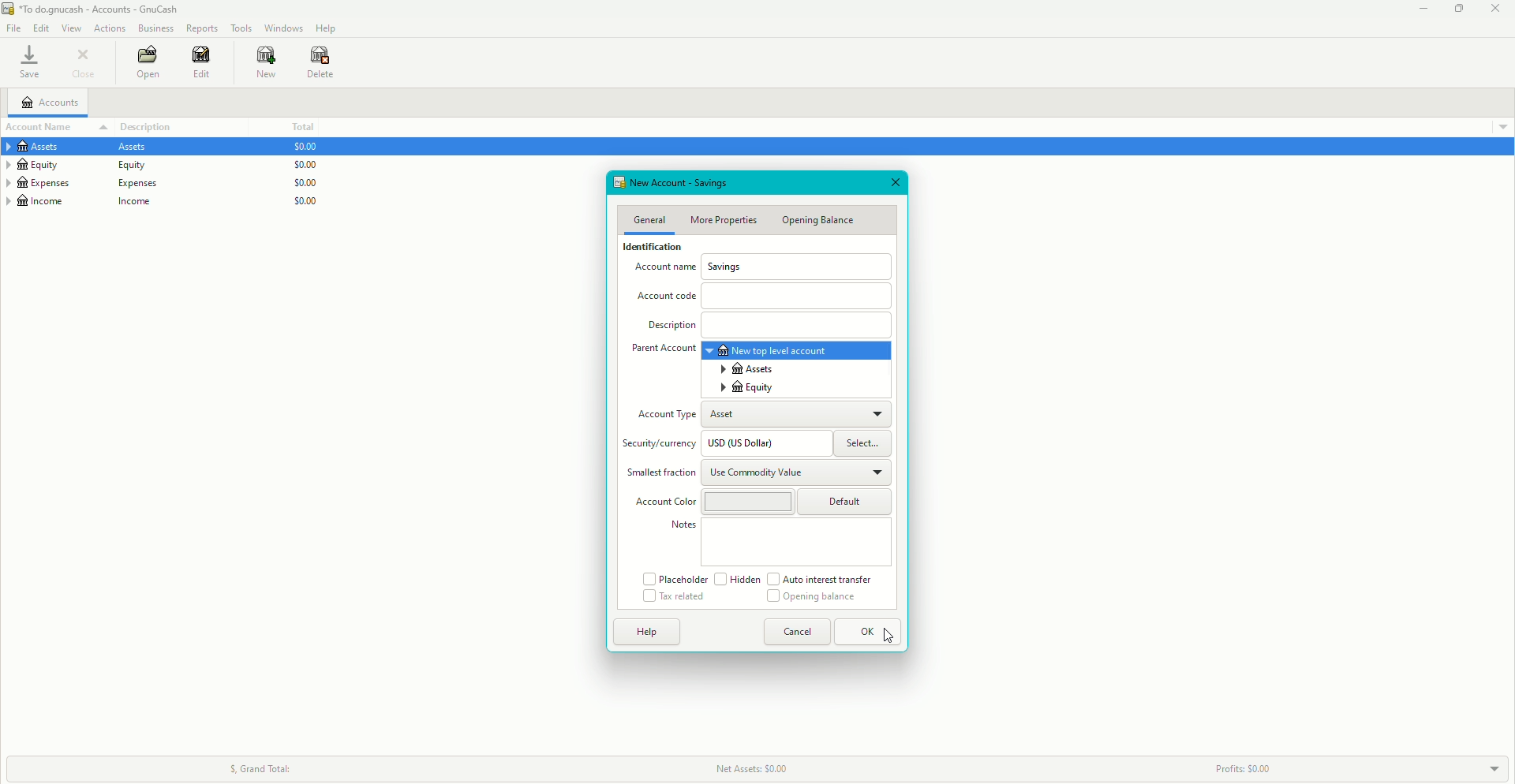 The width and height of the screenshot is (1515, 784). I want to click on Income, so click(87, 203).